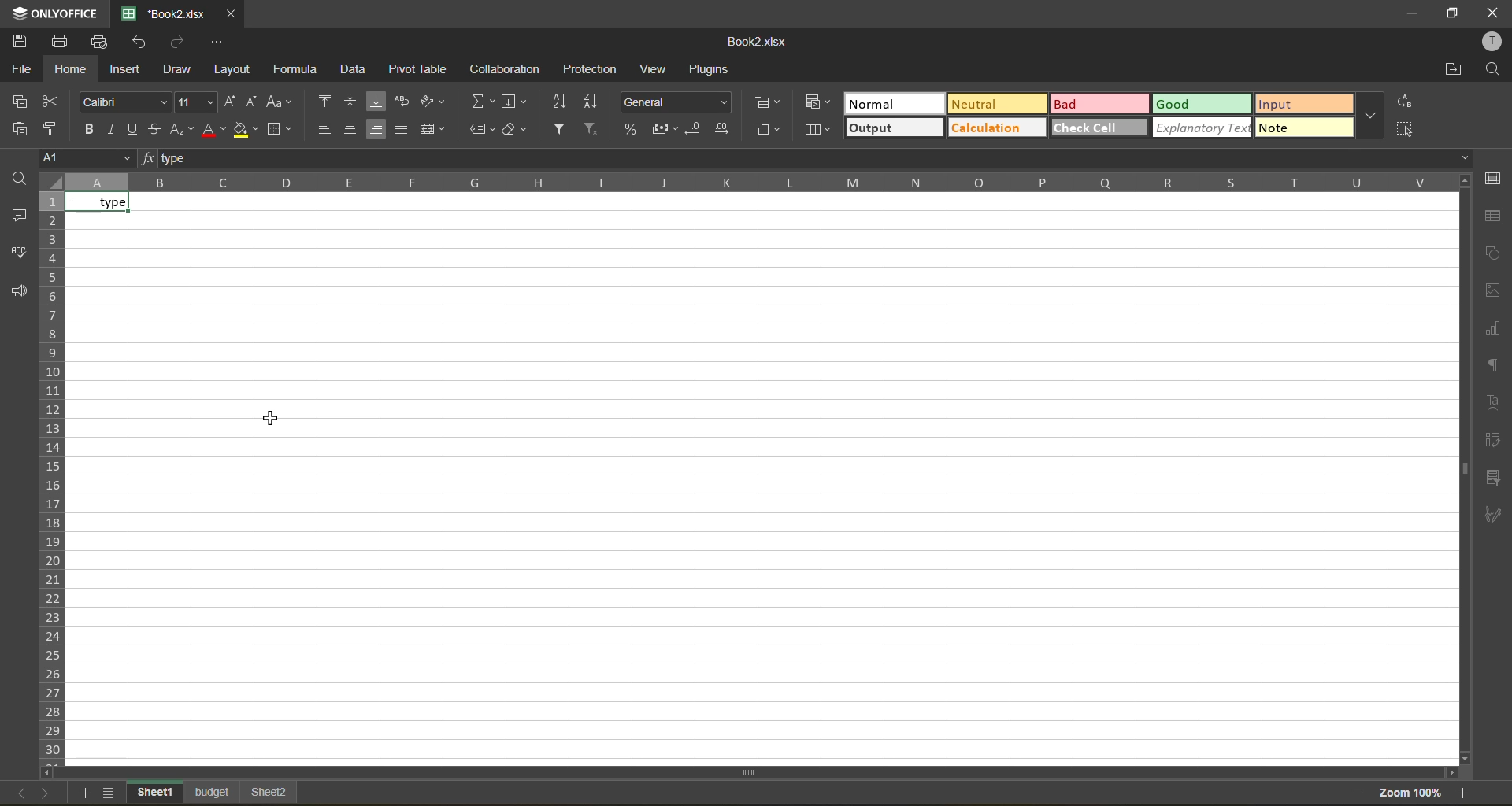  What do you see at coordinates (21, 254) in the screenshot?
I see `spellcheck` at bounding box center [21, 254].